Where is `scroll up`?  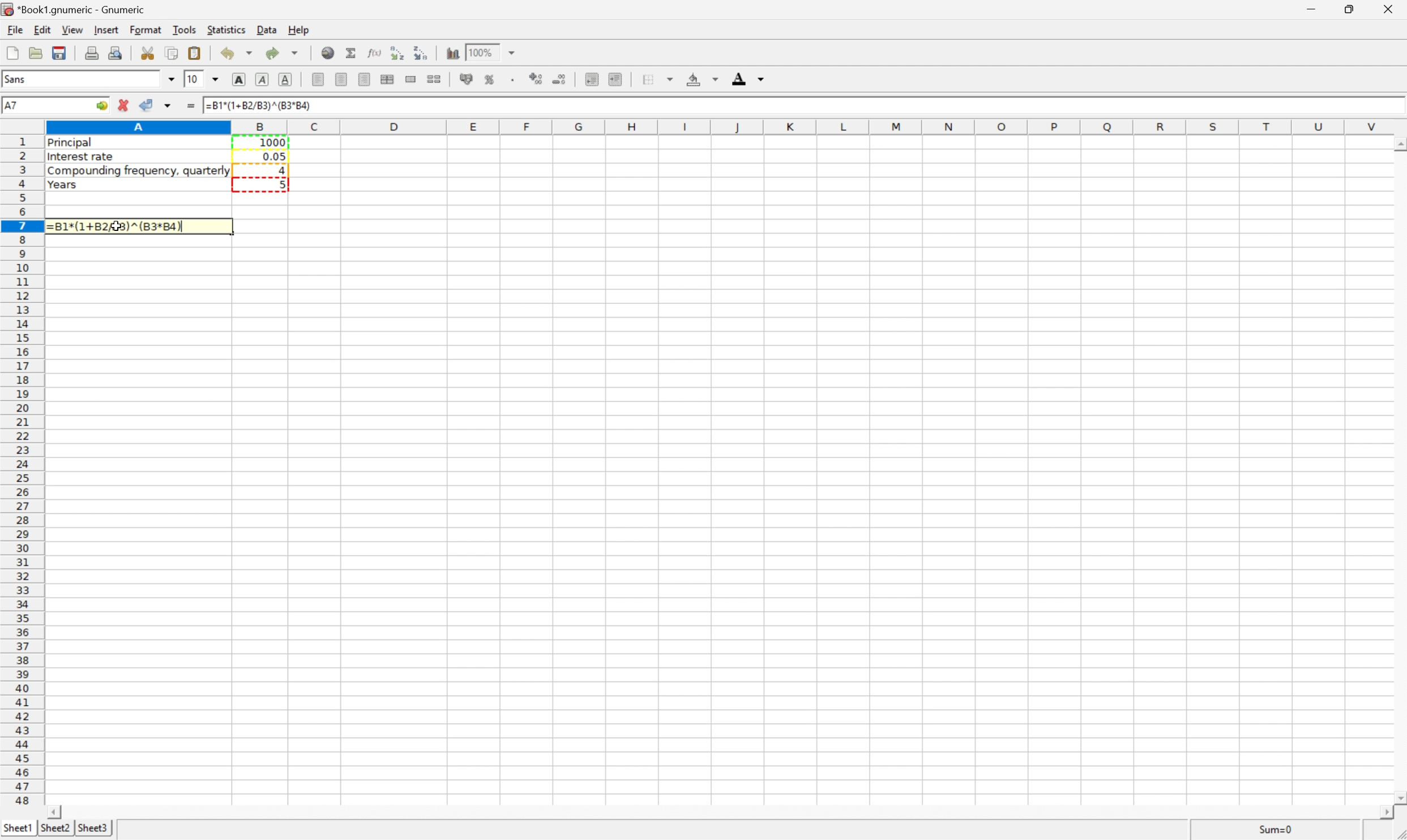 scroll up is located at coordinates (1398, 147).